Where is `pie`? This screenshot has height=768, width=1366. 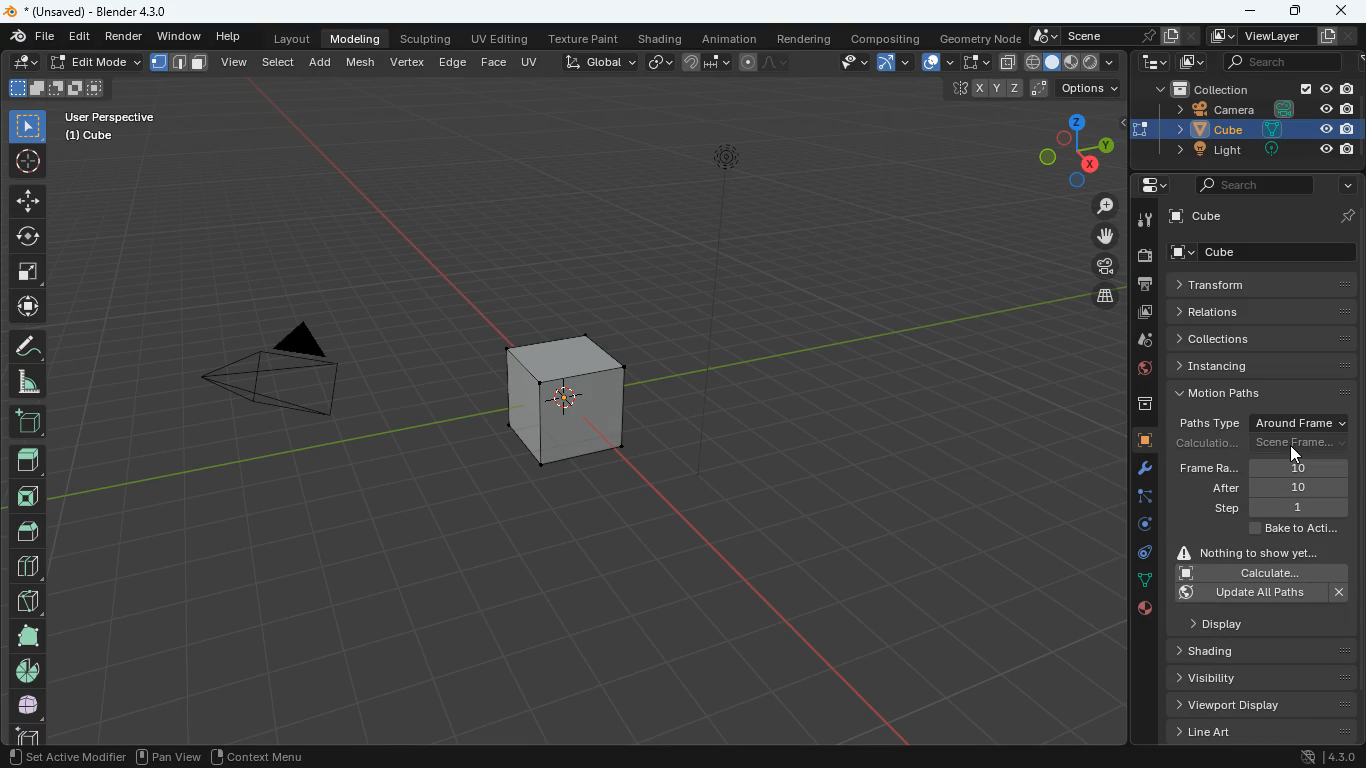 pie is located at coordinates (26, 670).